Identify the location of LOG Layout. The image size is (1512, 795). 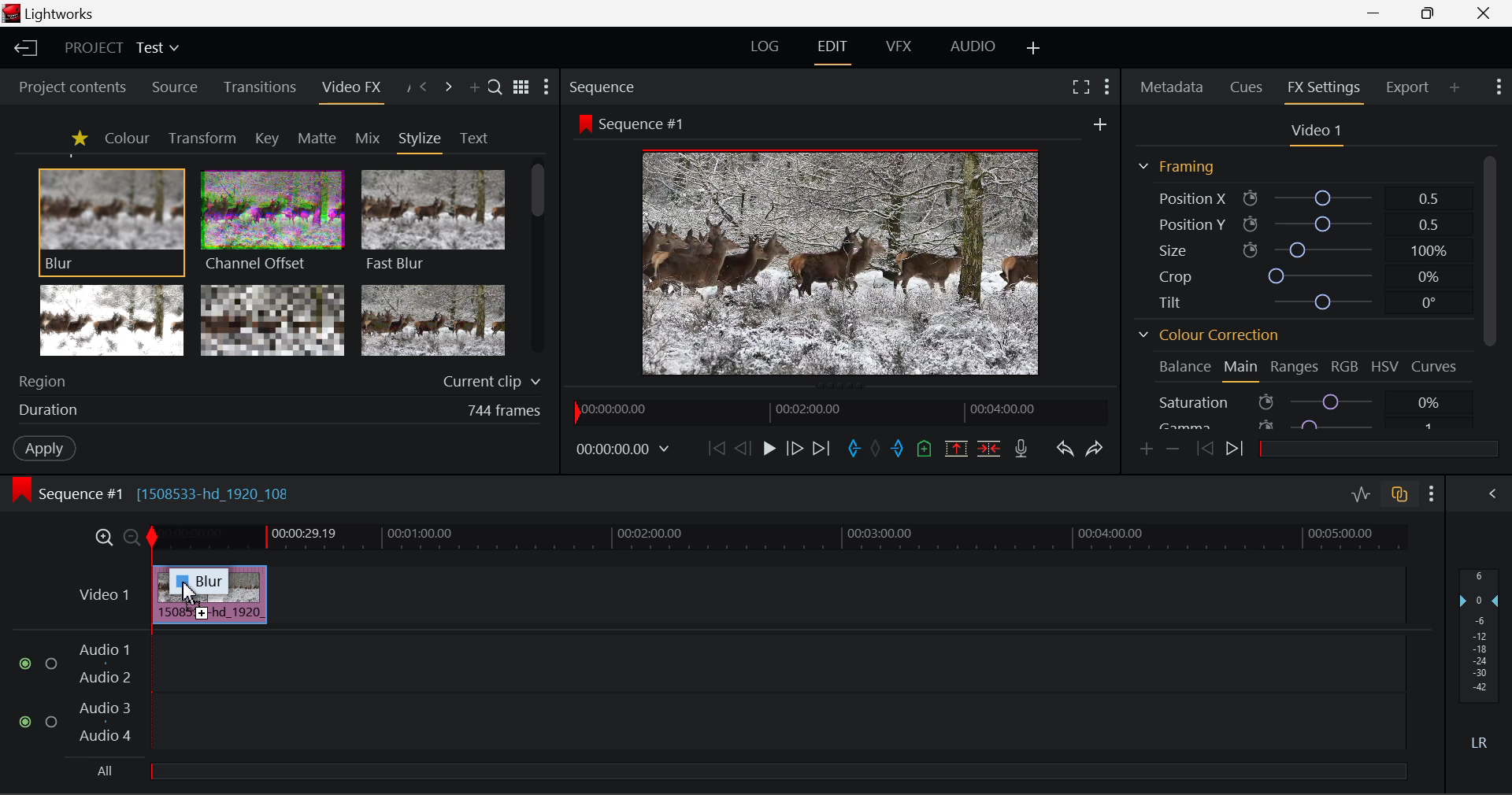
(770, 48).